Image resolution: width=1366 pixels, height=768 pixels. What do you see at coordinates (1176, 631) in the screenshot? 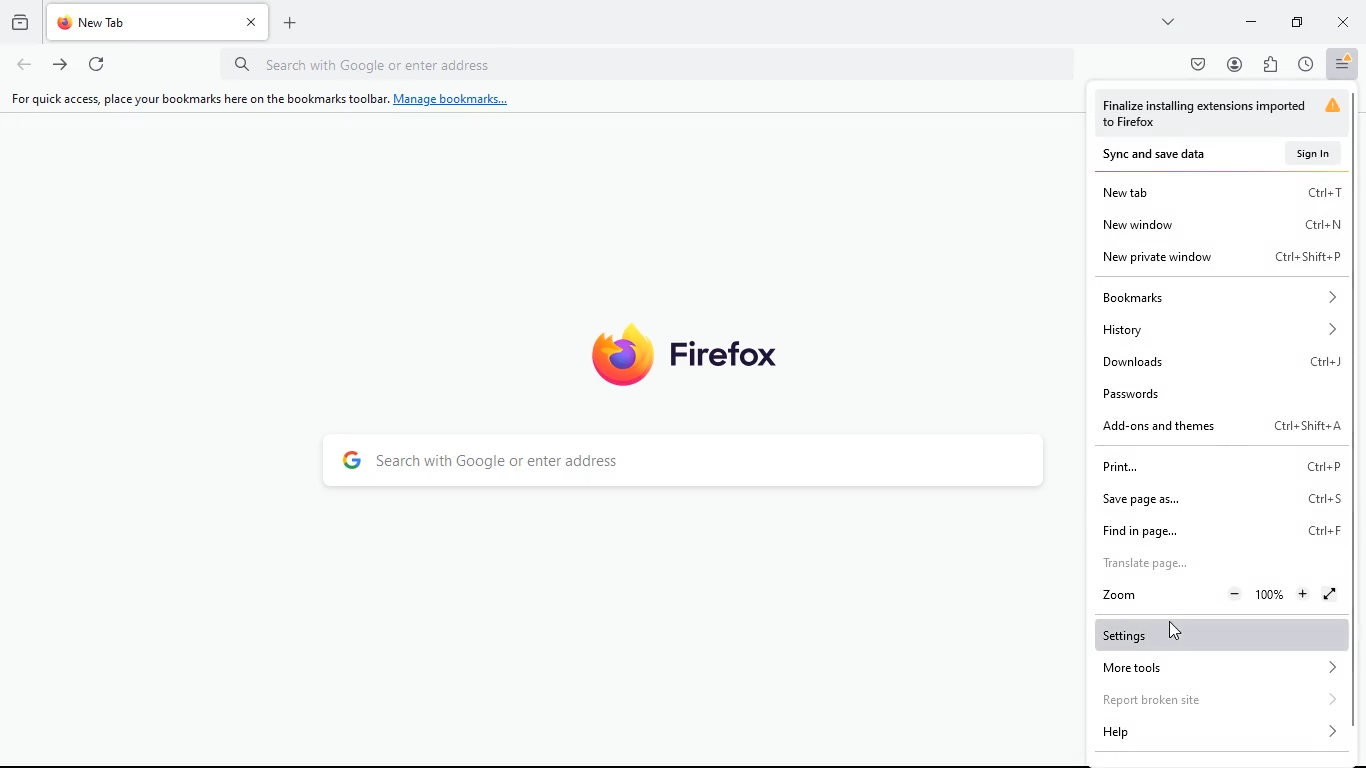
I see `Cursor` at bounding box center [1176, 631].